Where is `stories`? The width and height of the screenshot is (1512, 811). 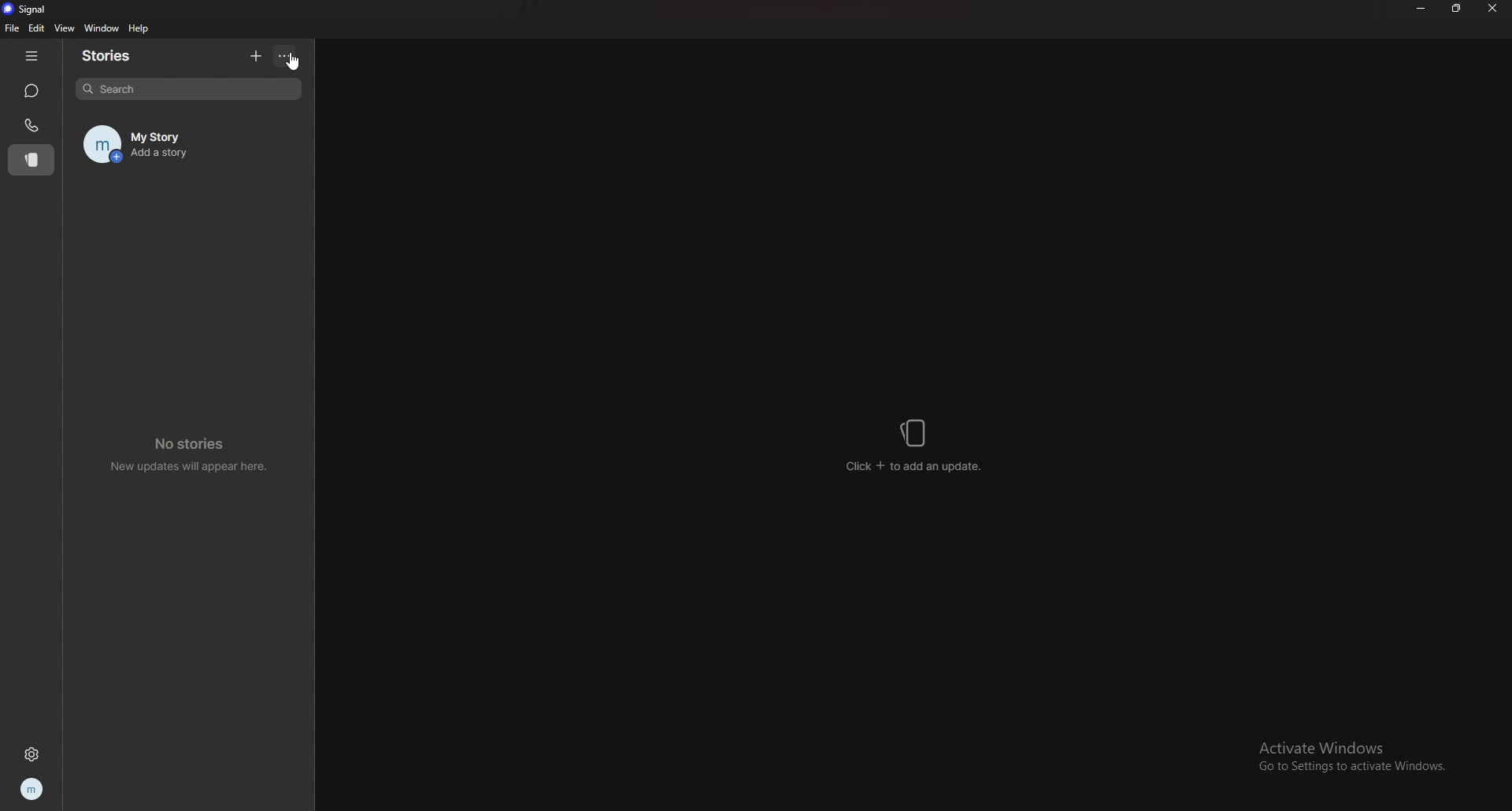
stories is located at coordinates (117, 54).